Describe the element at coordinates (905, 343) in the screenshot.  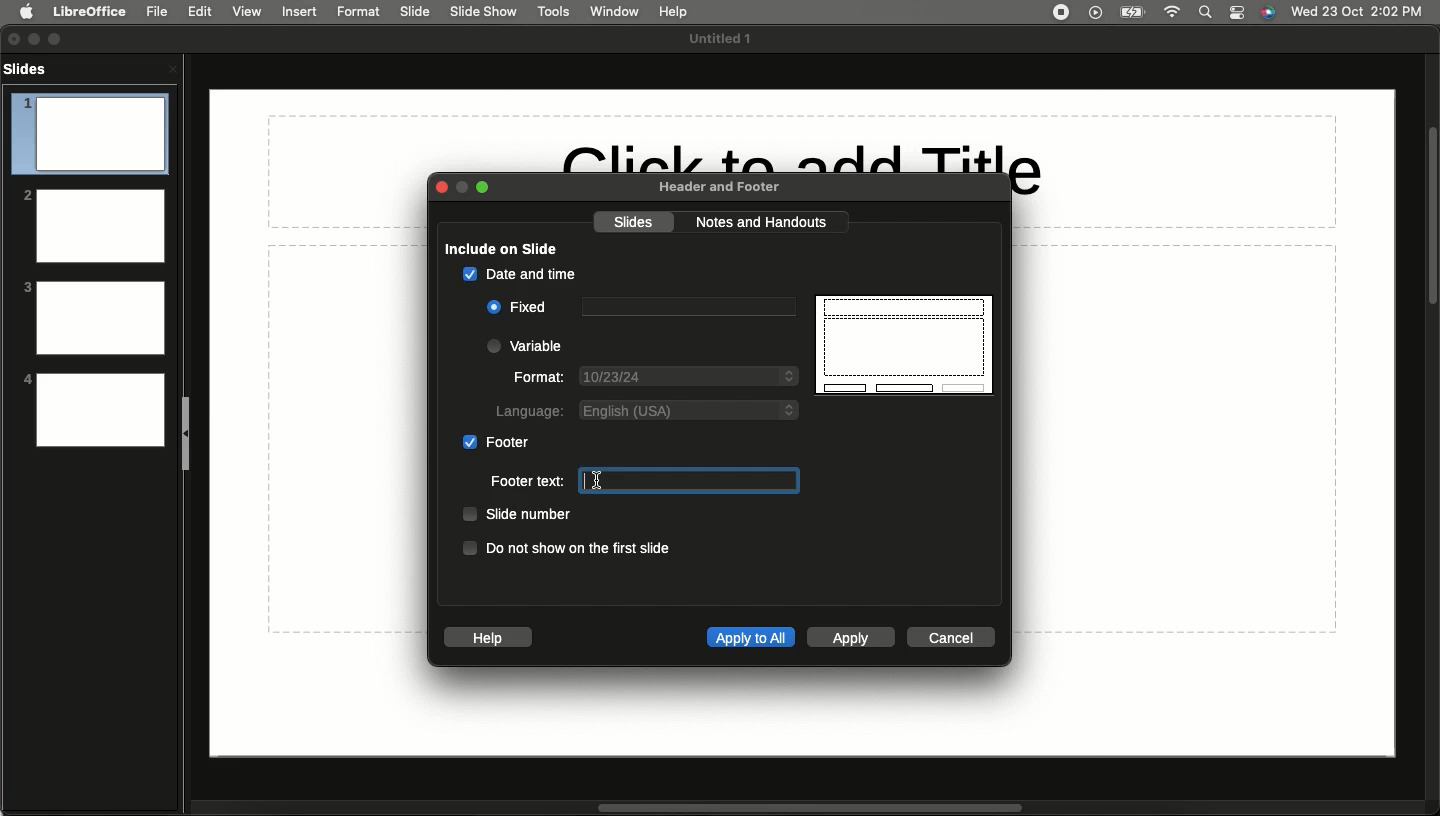
I see `Display` at that location.